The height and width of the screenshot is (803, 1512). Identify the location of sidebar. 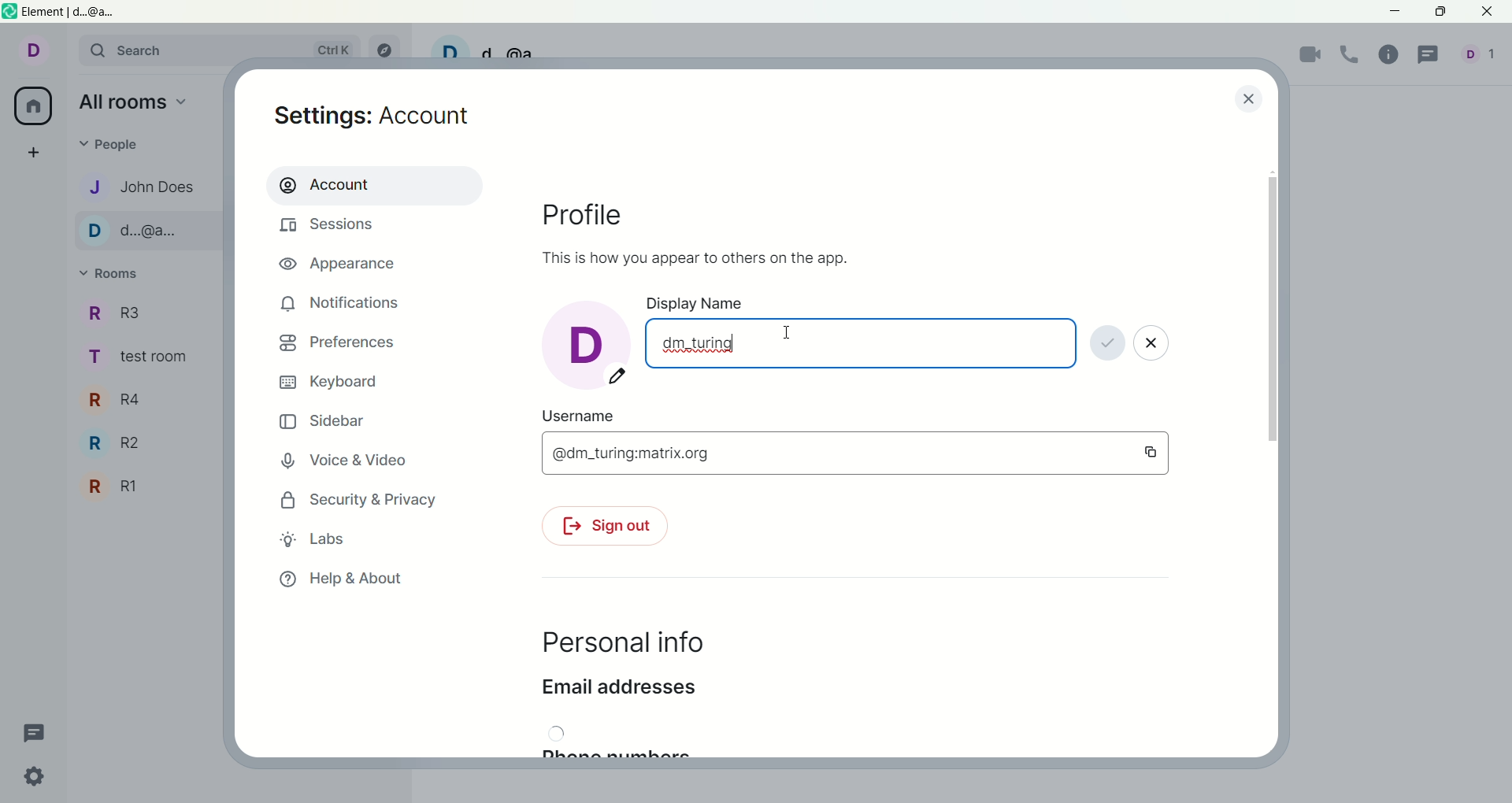
(324, 424).